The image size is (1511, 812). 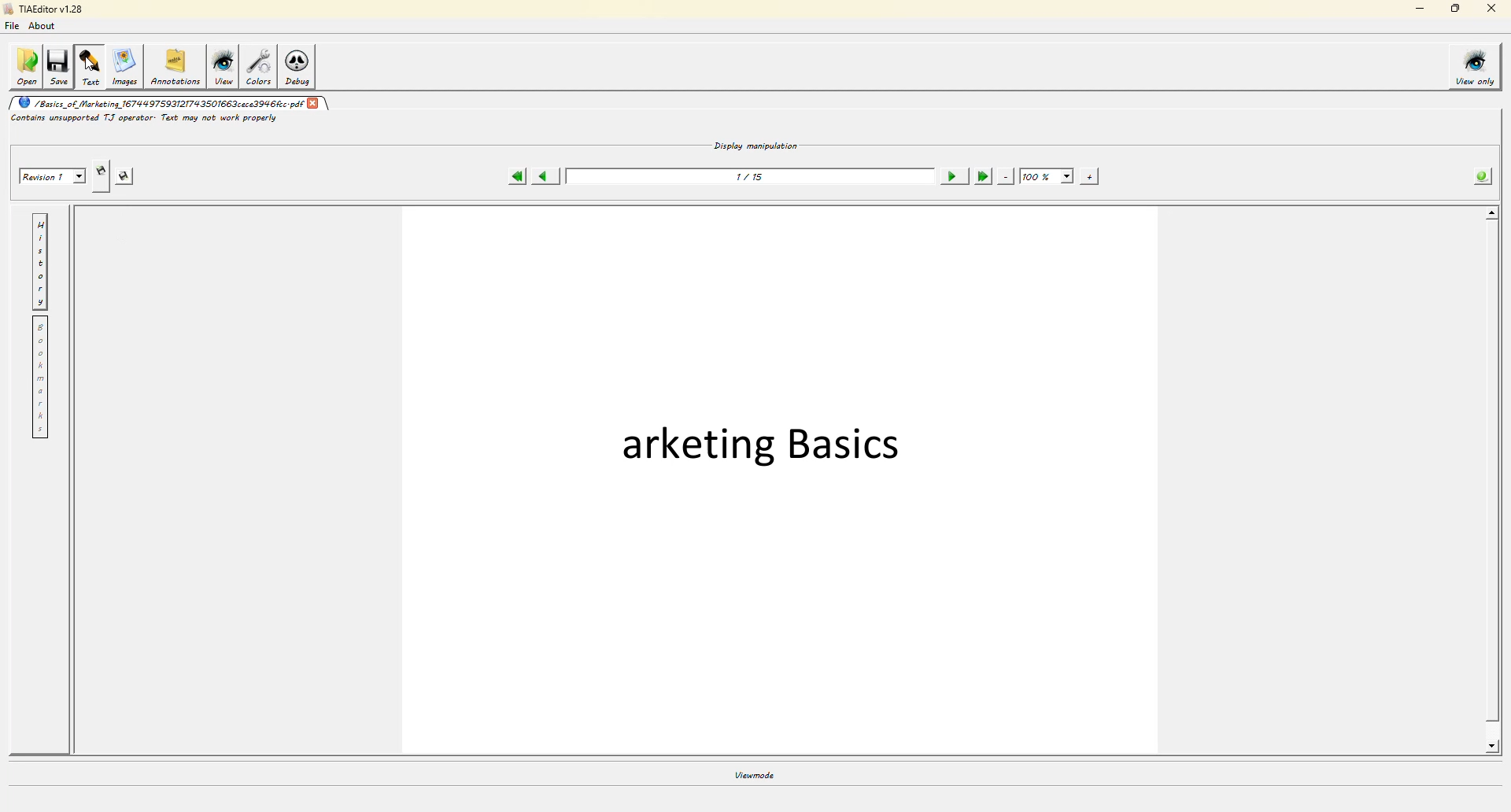 I want to click on images, so click(x=124, y=65).